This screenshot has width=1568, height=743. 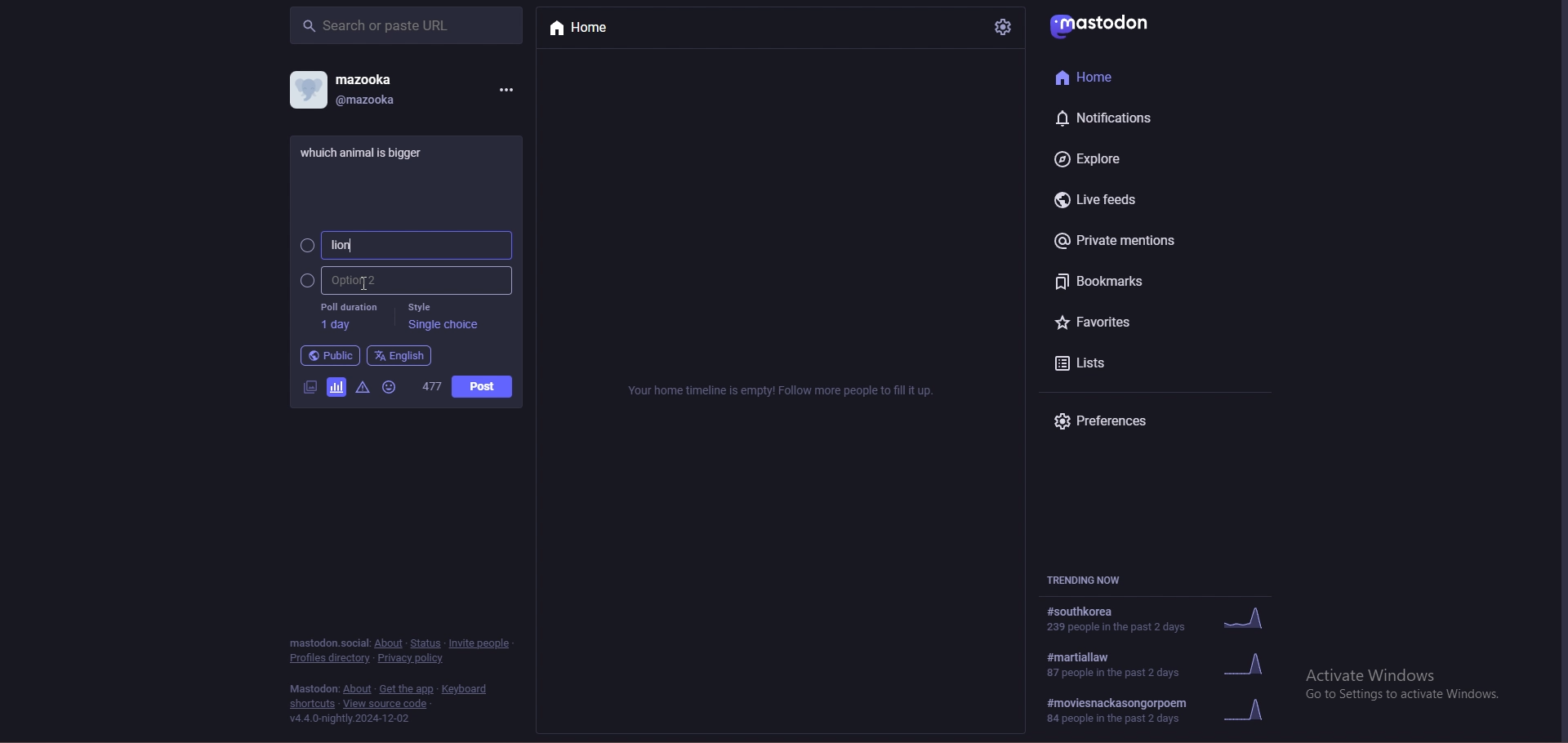 I want to click on word limit, so click(x=430, y=387).